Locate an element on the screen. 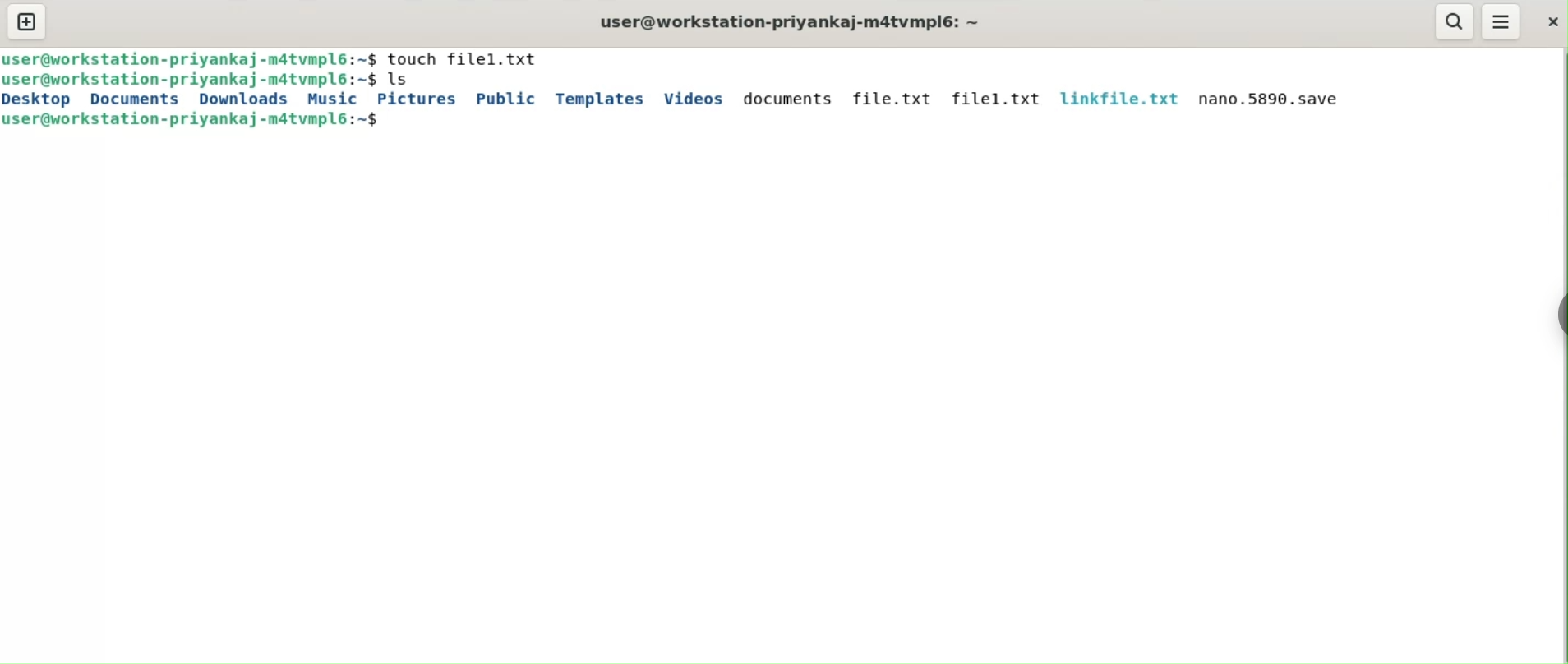 Image resolution: width=1568 pixels, height=664 pixels. pictures is located at coordinates (415, 100).